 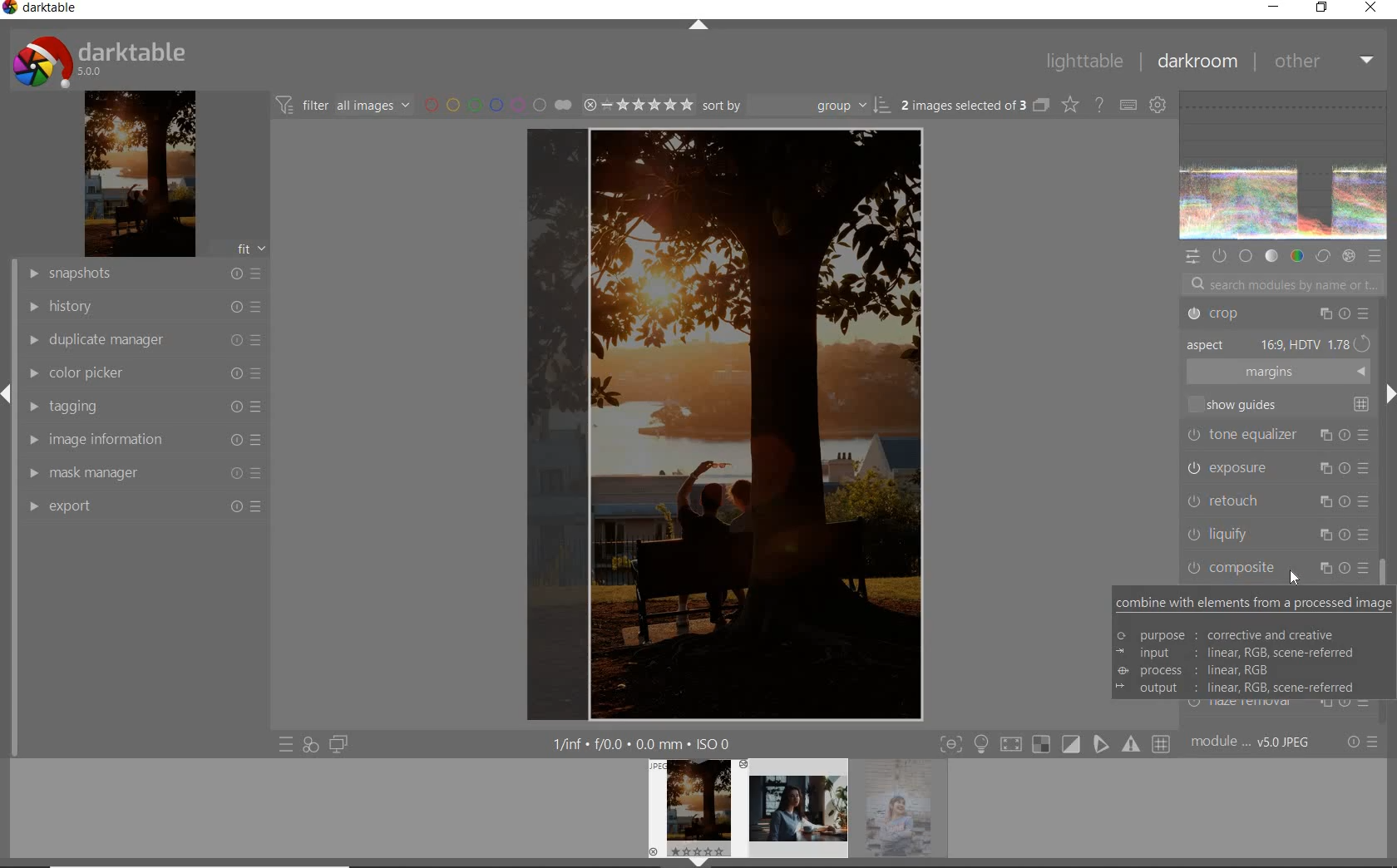 I want to click on margins, so click(x=1283, y=371).